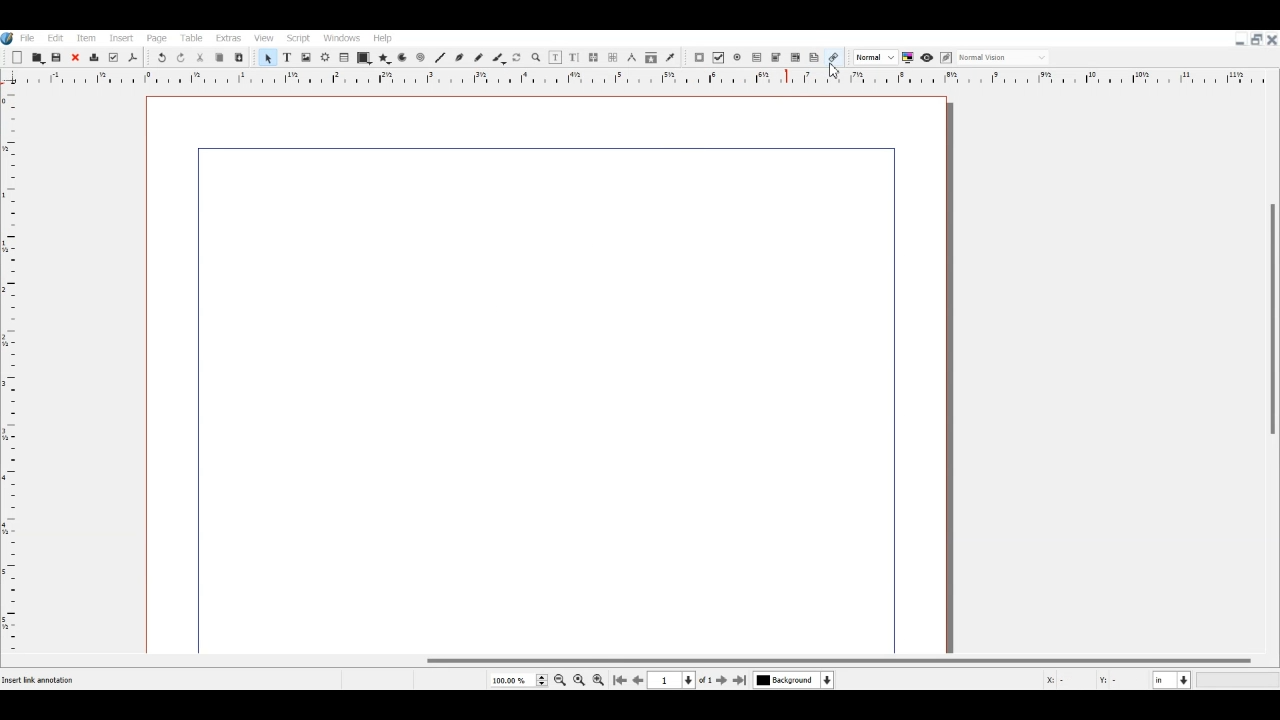 The height and width of the screenshot is (720, 1280). What do you see at coordinates (926, 57) in the screenshot?
I see `Preview mode` at bounding box center [926, 57].